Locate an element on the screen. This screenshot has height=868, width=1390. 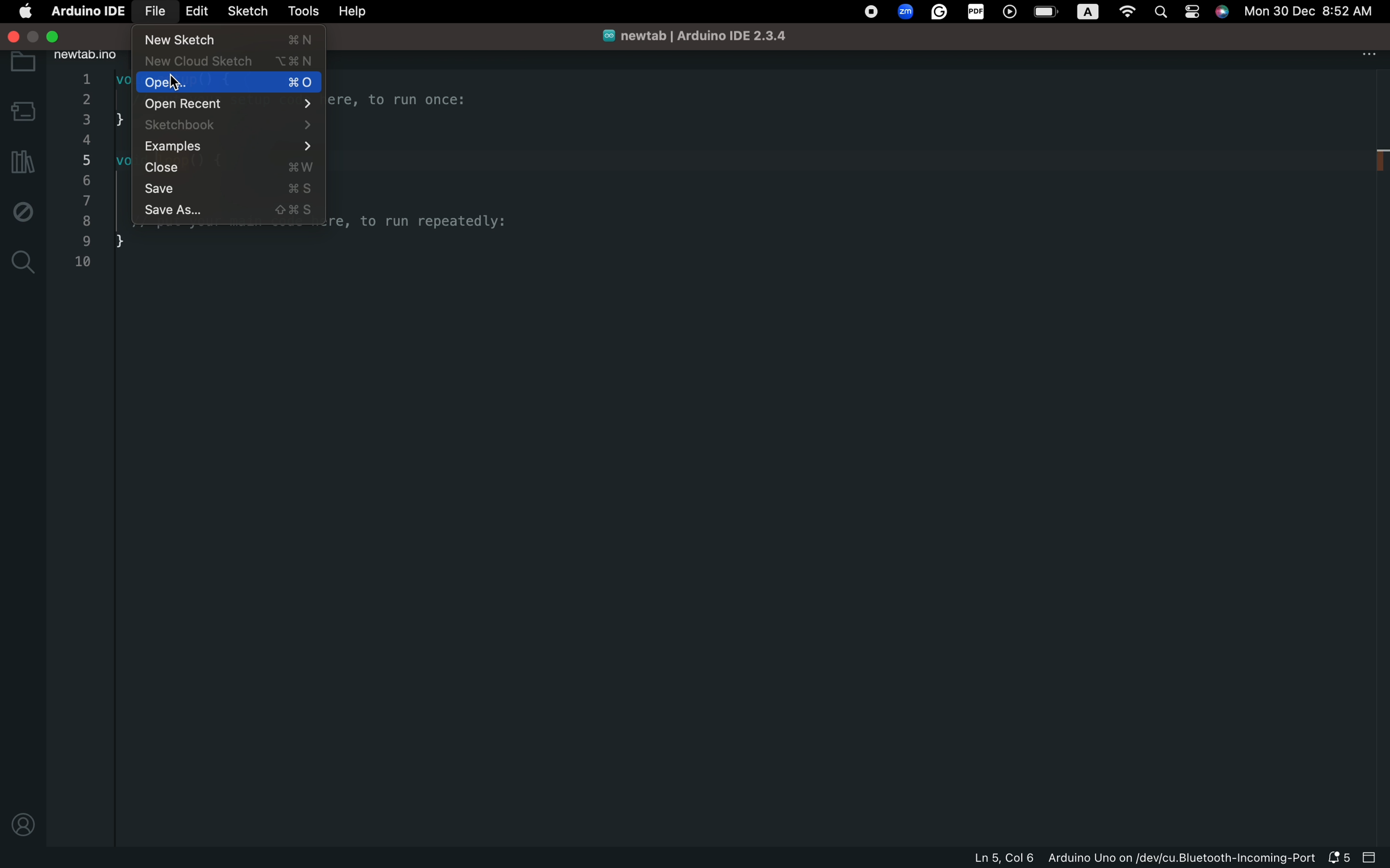
close is located at coordinates (226, 169).